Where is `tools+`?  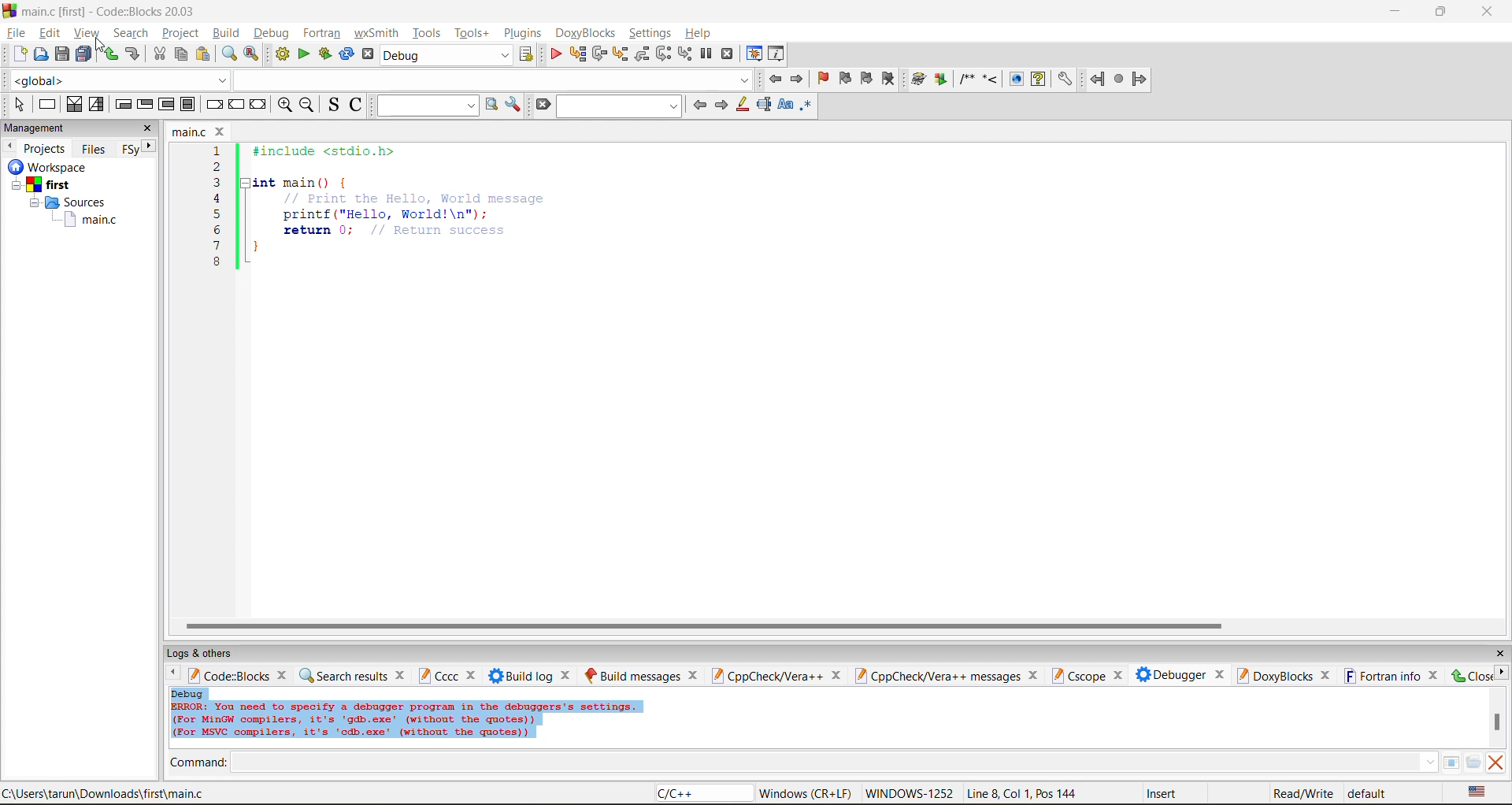 tools+ is located at coordinates (472, 32).